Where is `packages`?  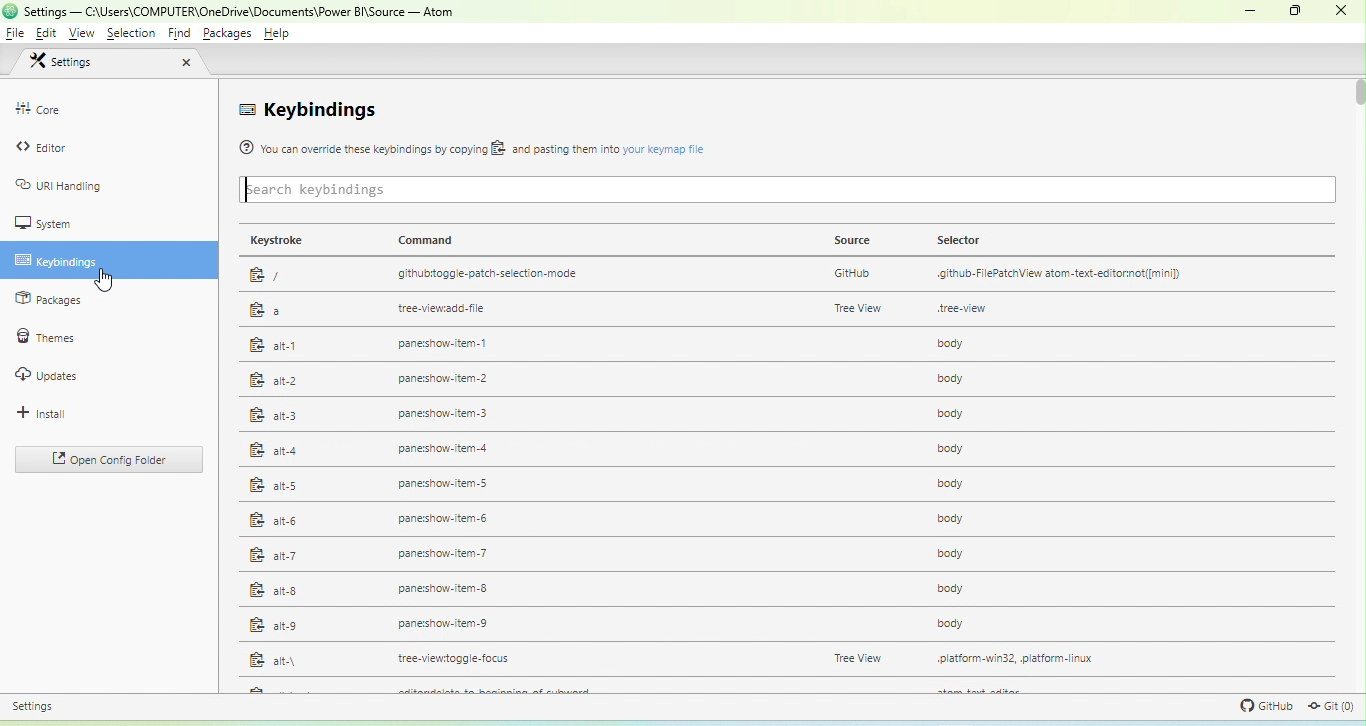
packages is located at coordinates (48, 300).